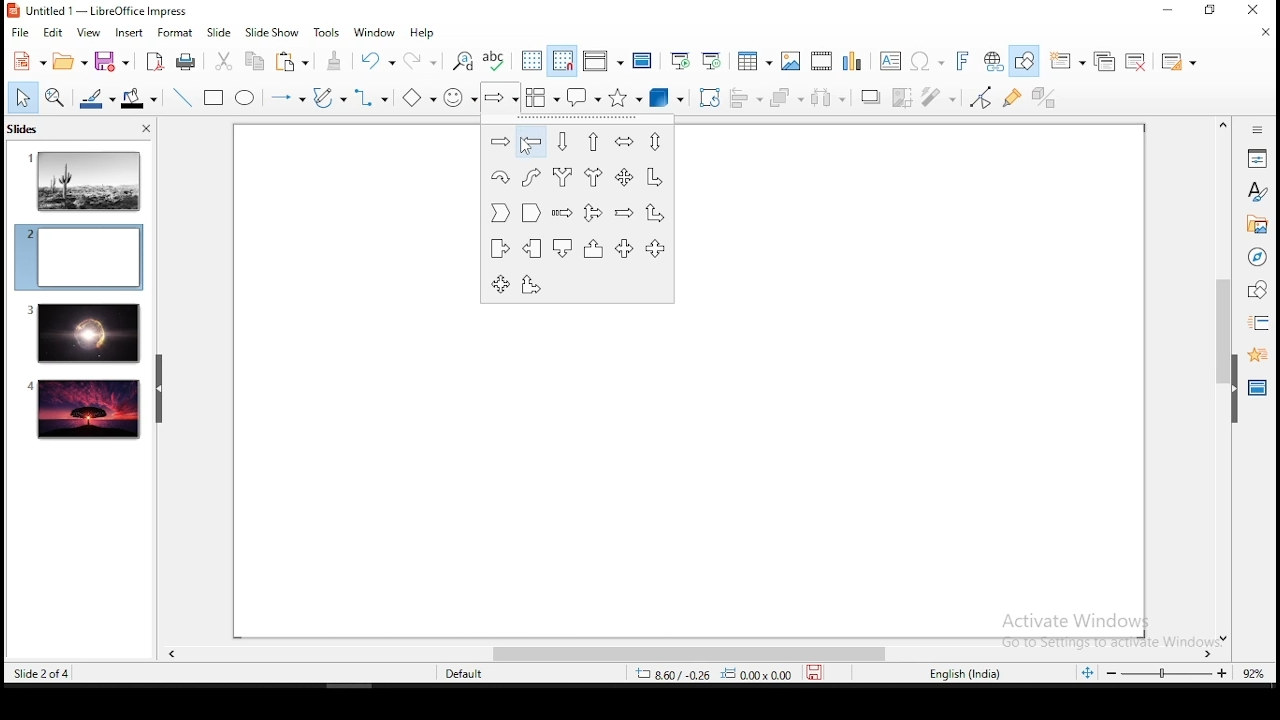 The image size is (1280, 720). I want to click on stars and banners, so click(624, 98).